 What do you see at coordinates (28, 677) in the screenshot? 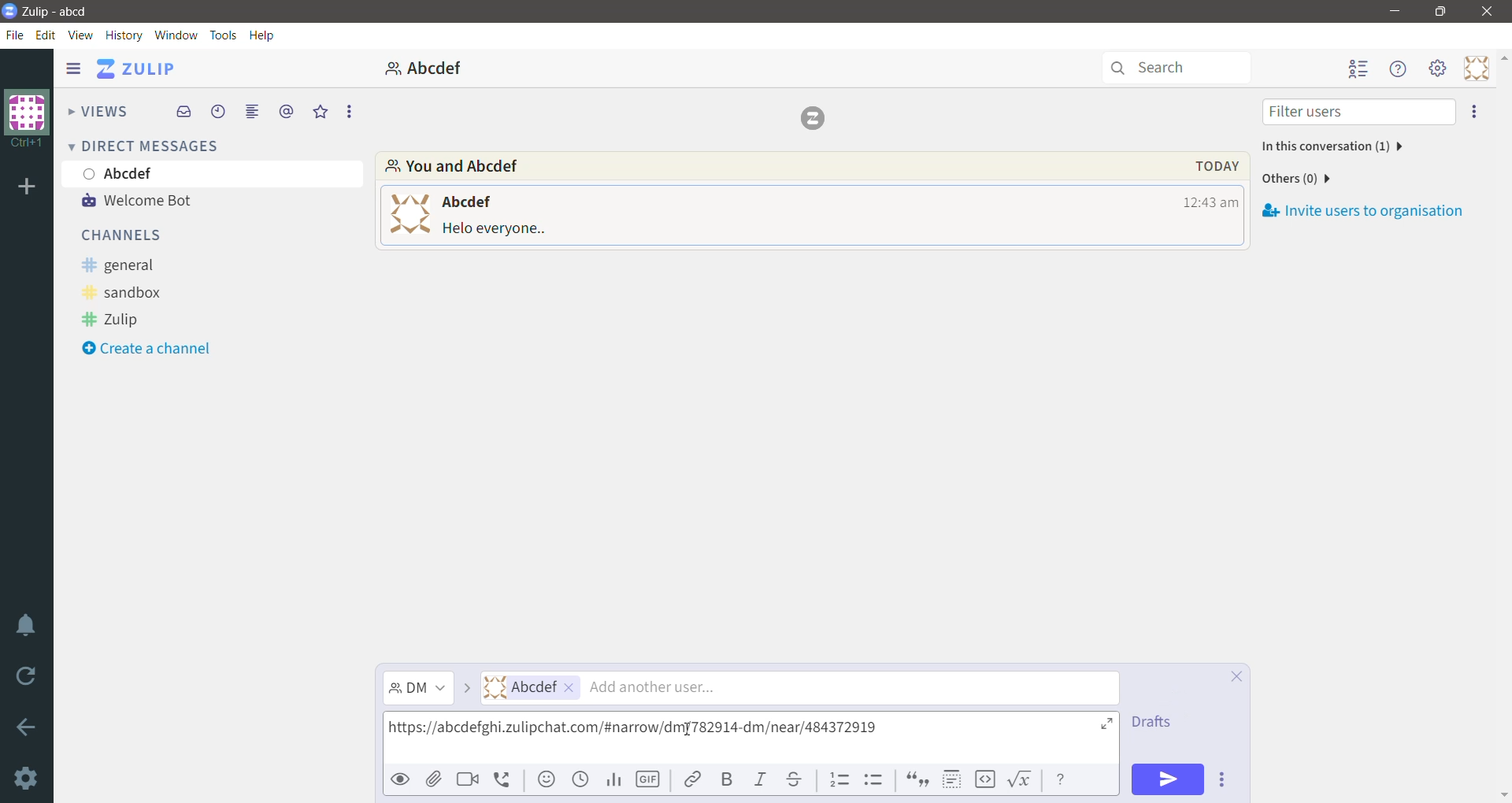
I see `Reload` at bounding box center [28, 677].